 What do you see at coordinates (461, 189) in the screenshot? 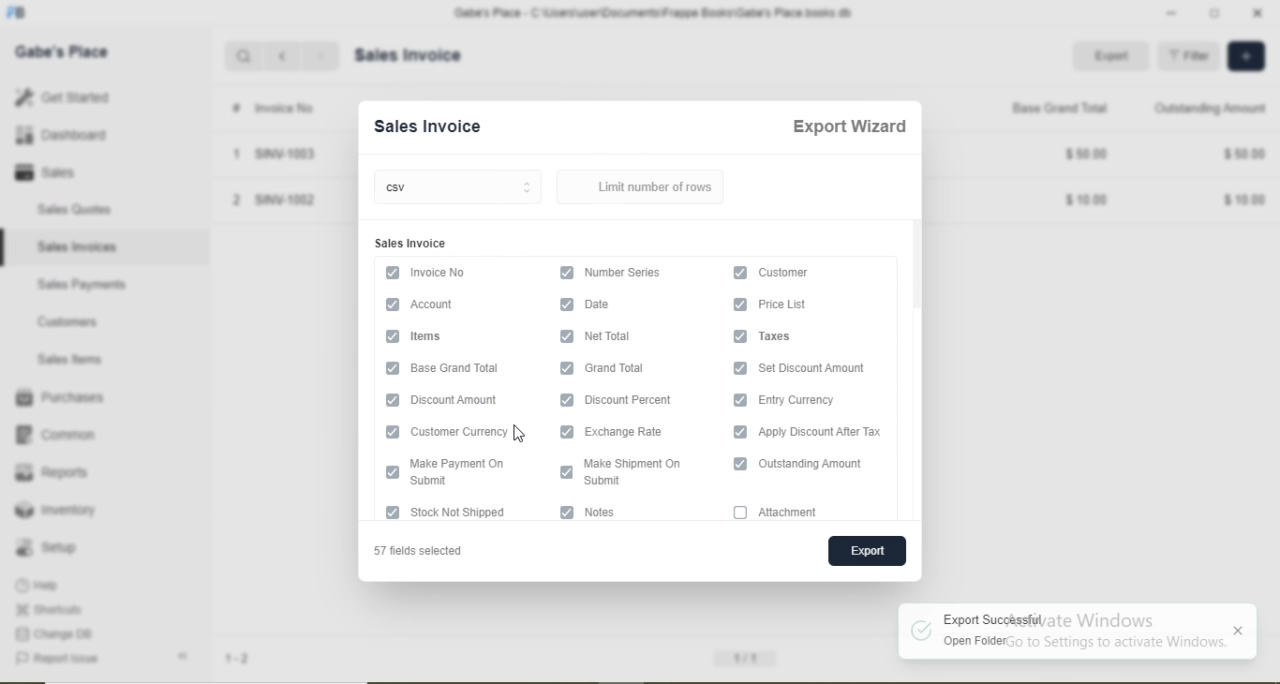
I see `csv` at bounding box center [461, 189].